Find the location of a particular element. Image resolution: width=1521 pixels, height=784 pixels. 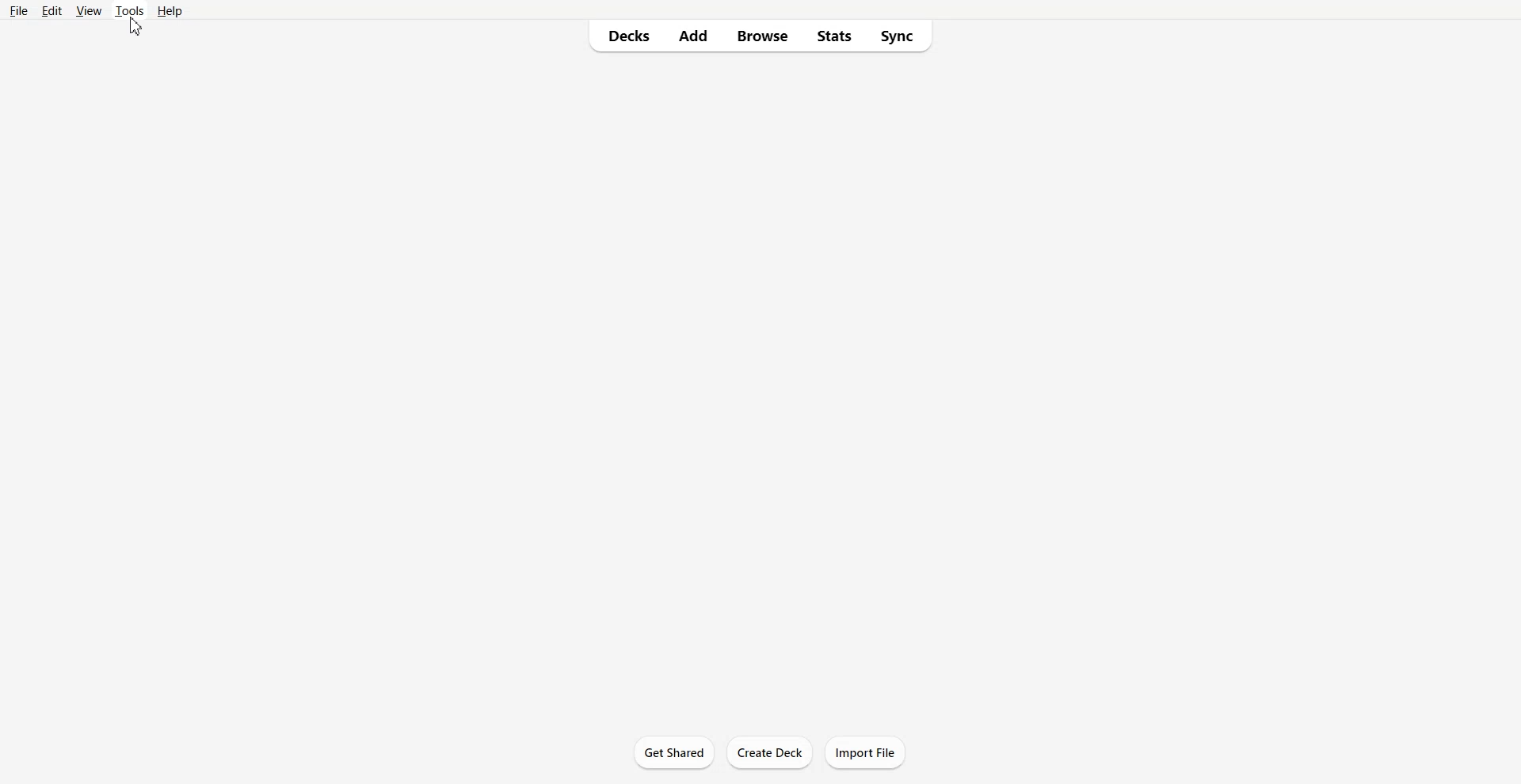

Sync is located at coordinates (900, 36).